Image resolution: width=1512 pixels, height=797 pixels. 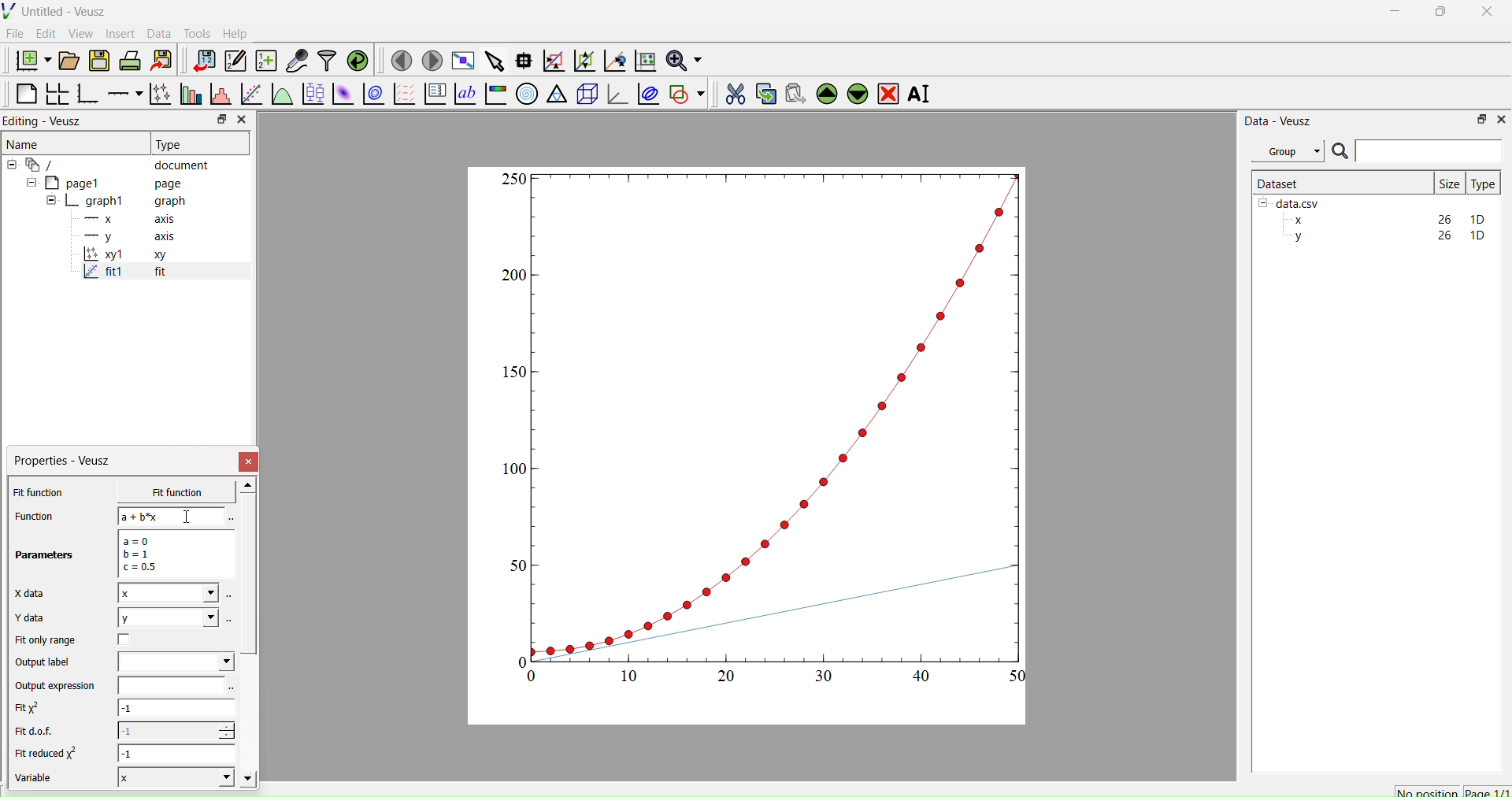 I want to click on Plot Vector Field, so click(x=404, y=95).